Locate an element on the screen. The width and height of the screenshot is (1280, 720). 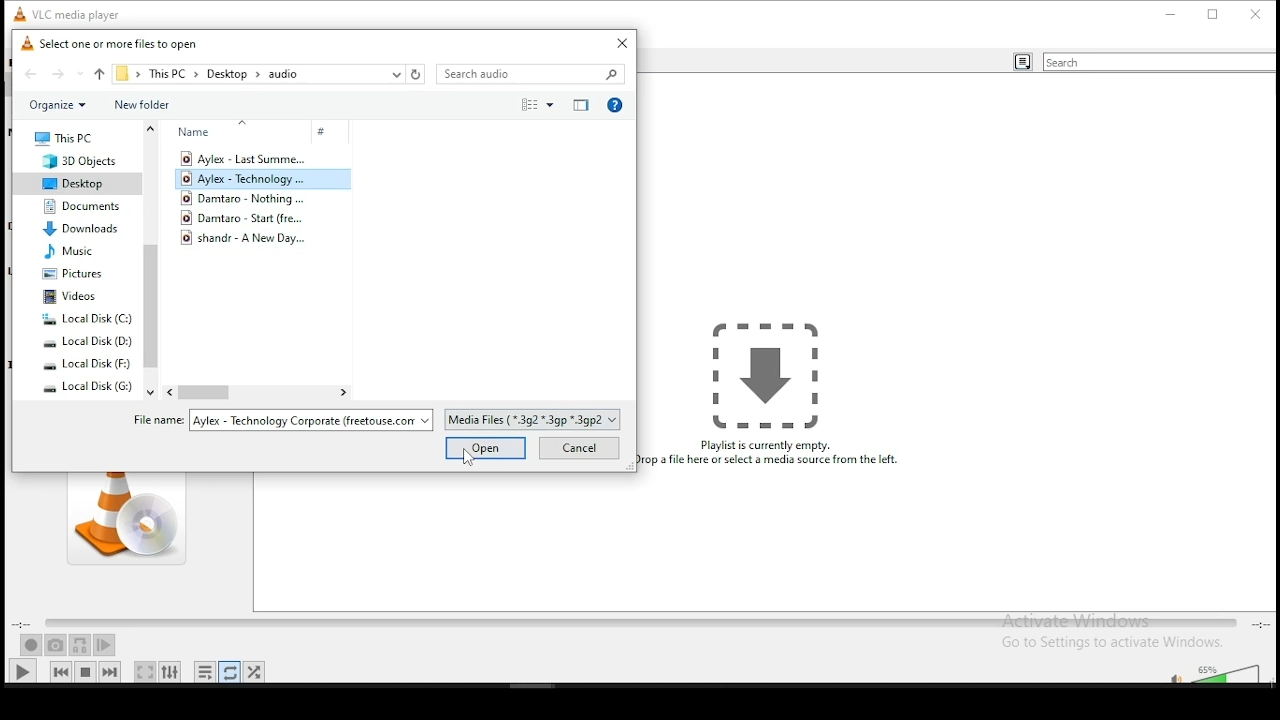
previous media in the playlist, skips backward when held is located at coordinates (62, 671).